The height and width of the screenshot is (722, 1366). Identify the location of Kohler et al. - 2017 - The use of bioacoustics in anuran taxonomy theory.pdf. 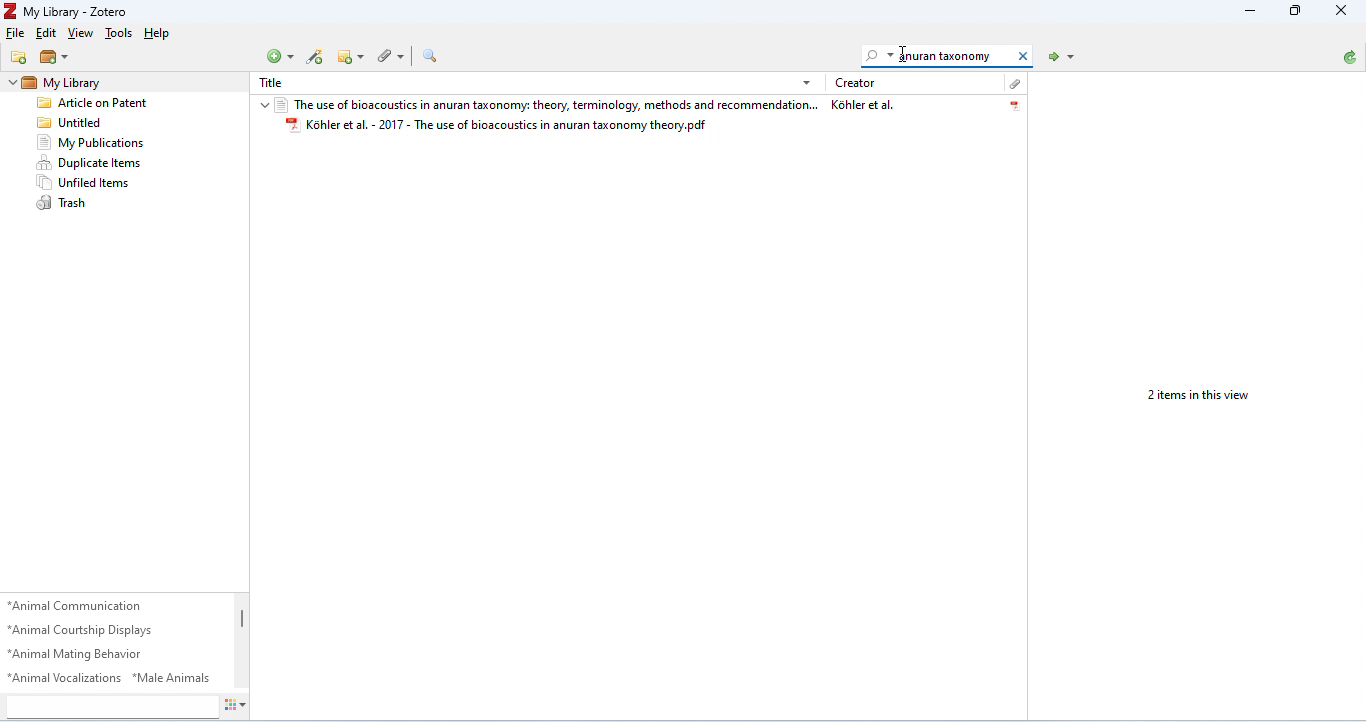
(503, 124).